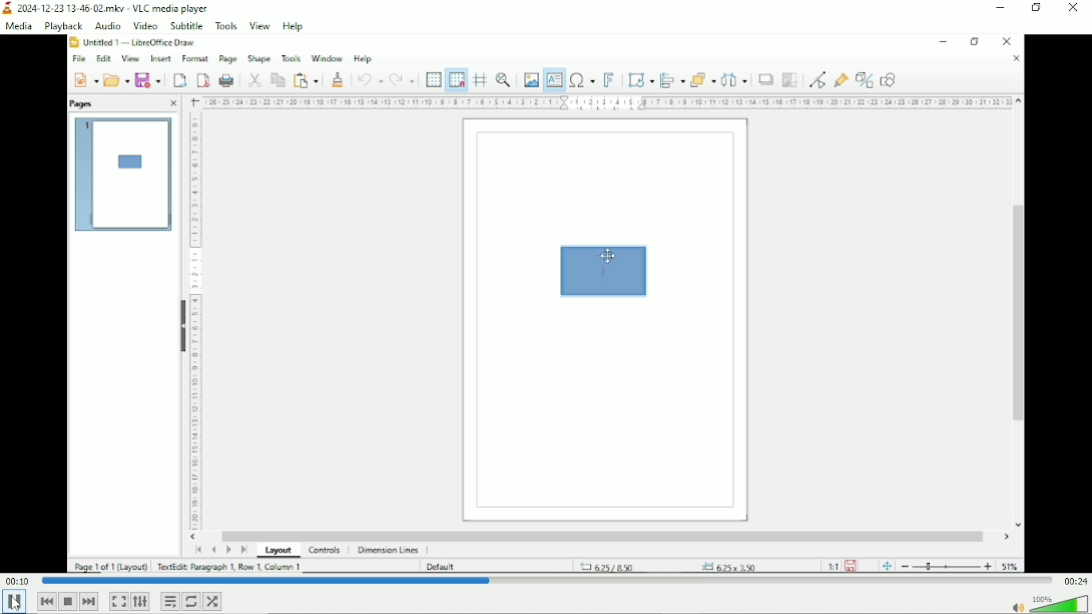 The height and width of the screenshot is (614, 1092). I want to click on 2024-12-23 13-46-02.mkv - VLC media player, so click(112, 8).